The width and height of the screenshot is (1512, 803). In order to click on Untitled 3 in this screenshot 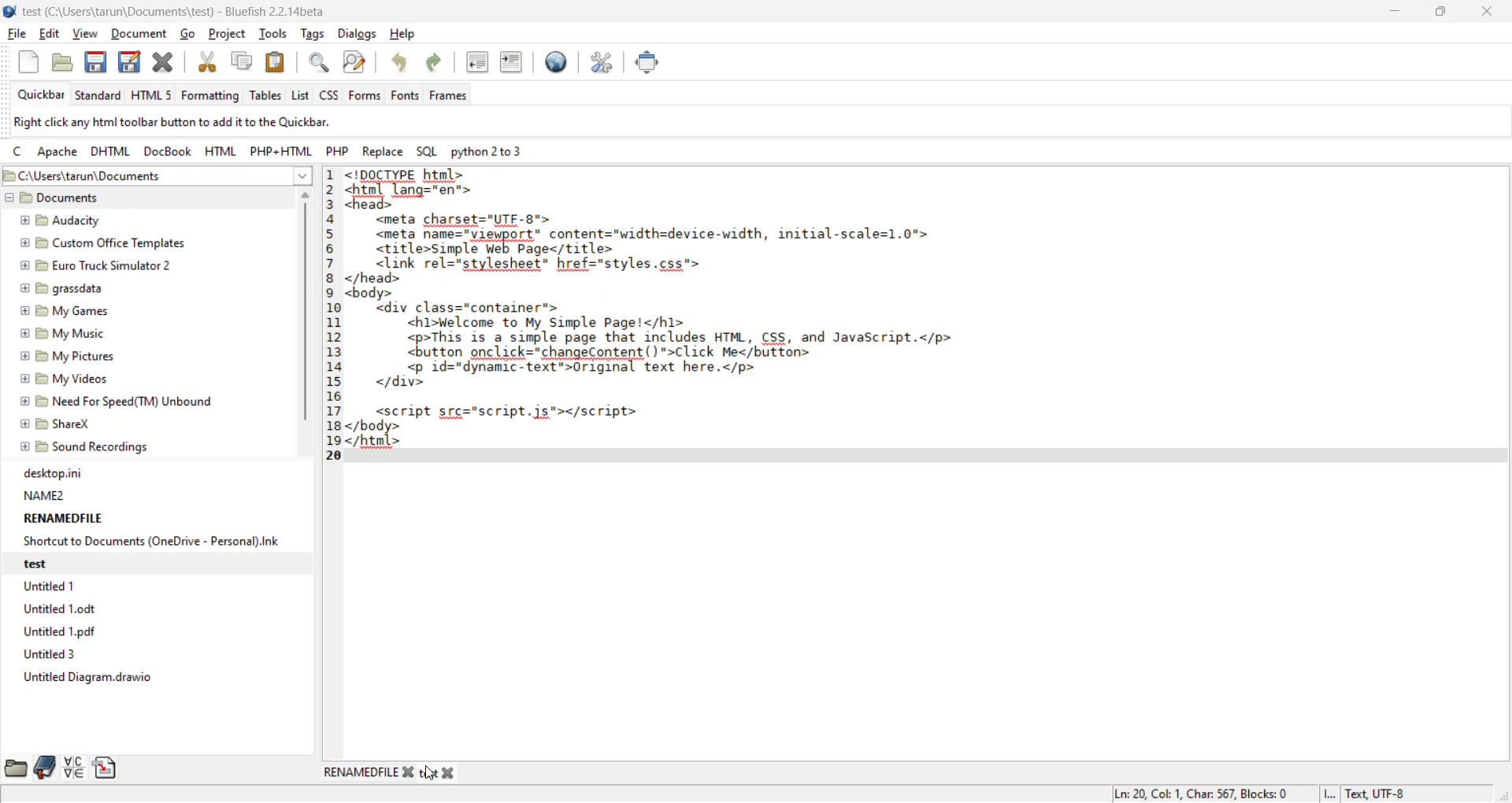, I will do `click(54, 655)`.